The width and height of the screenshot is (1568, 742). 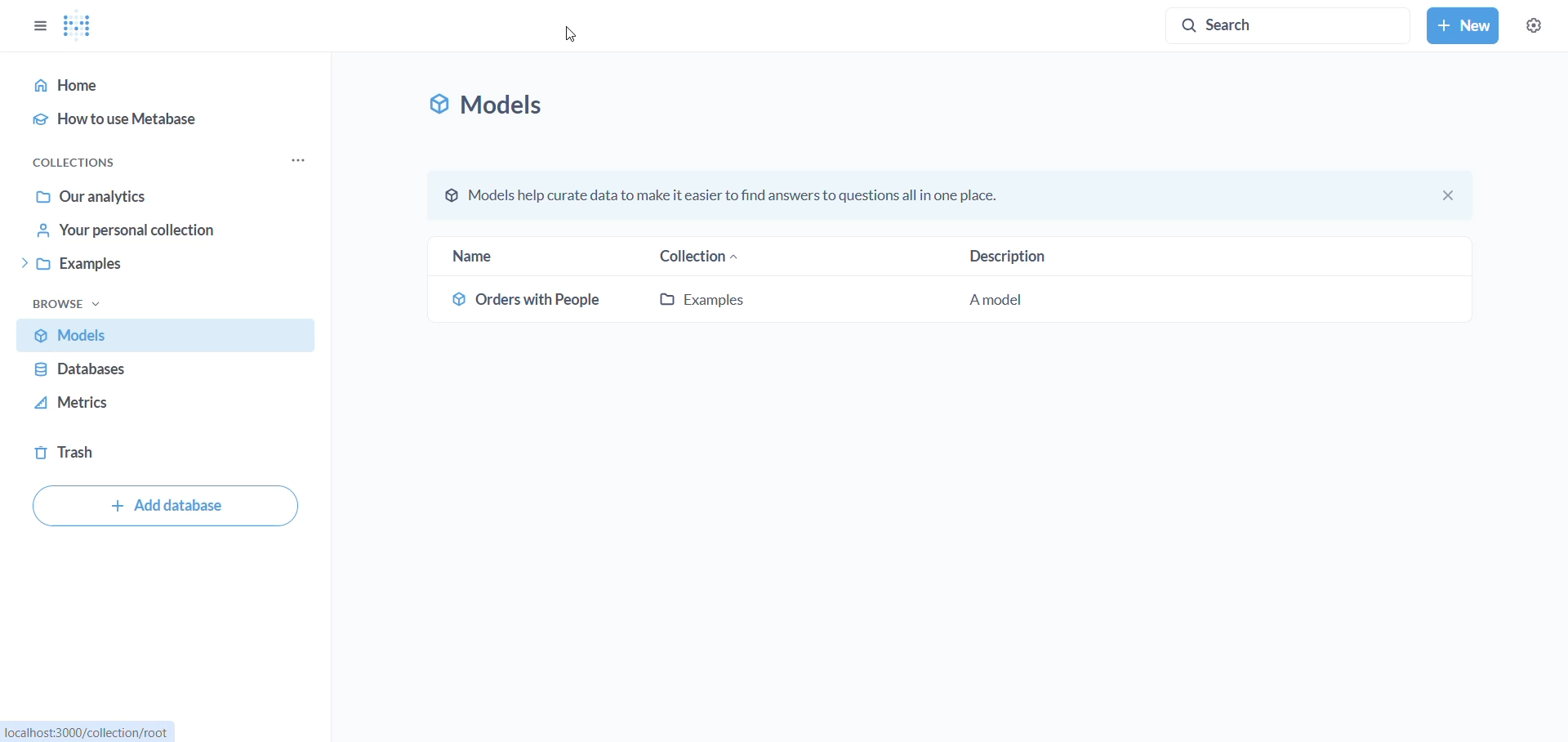 I want to click on add database, so click(x=163, y=507).